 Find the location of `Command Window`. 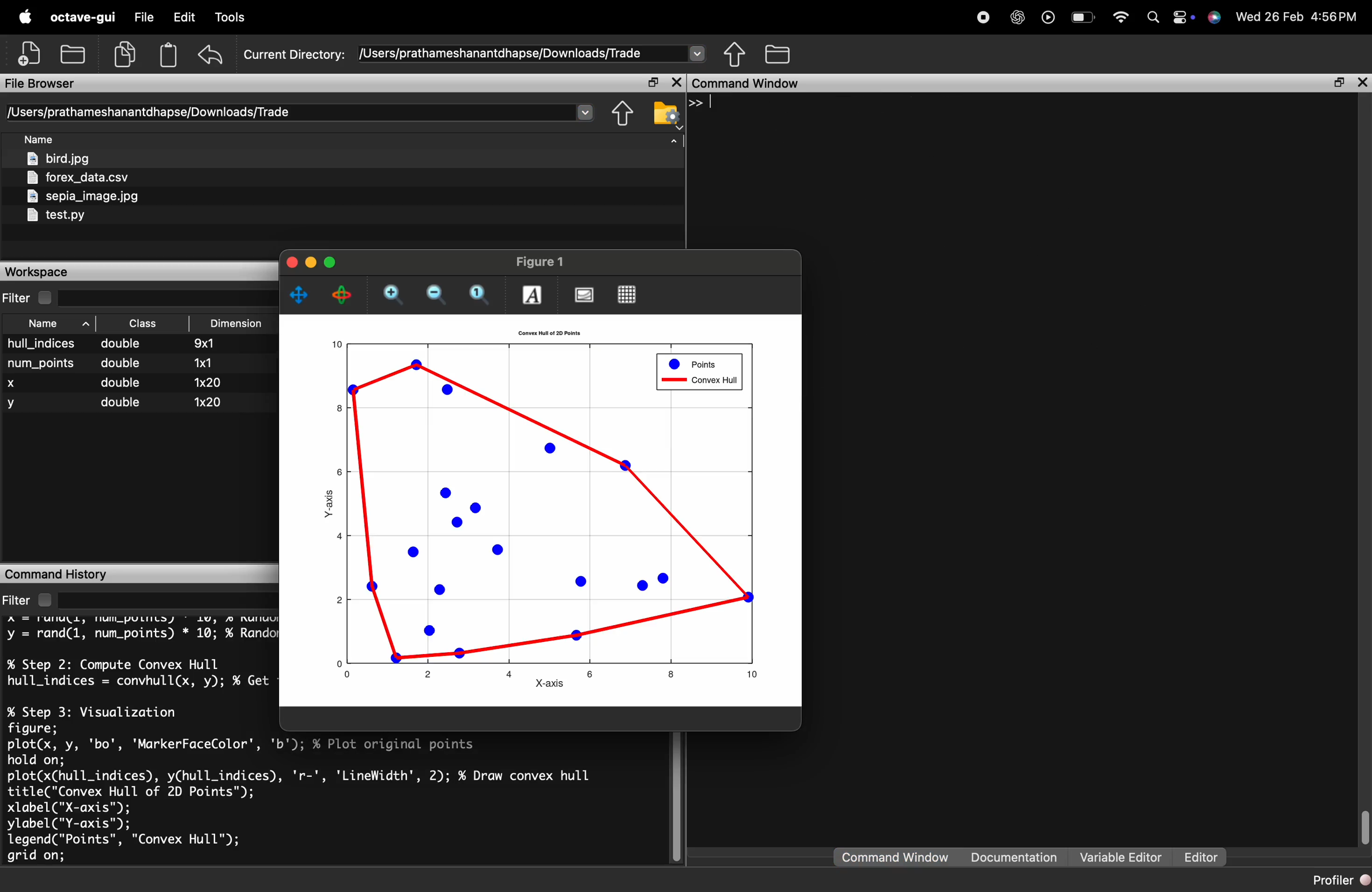

Command Window is located at coordinates (750, 84).